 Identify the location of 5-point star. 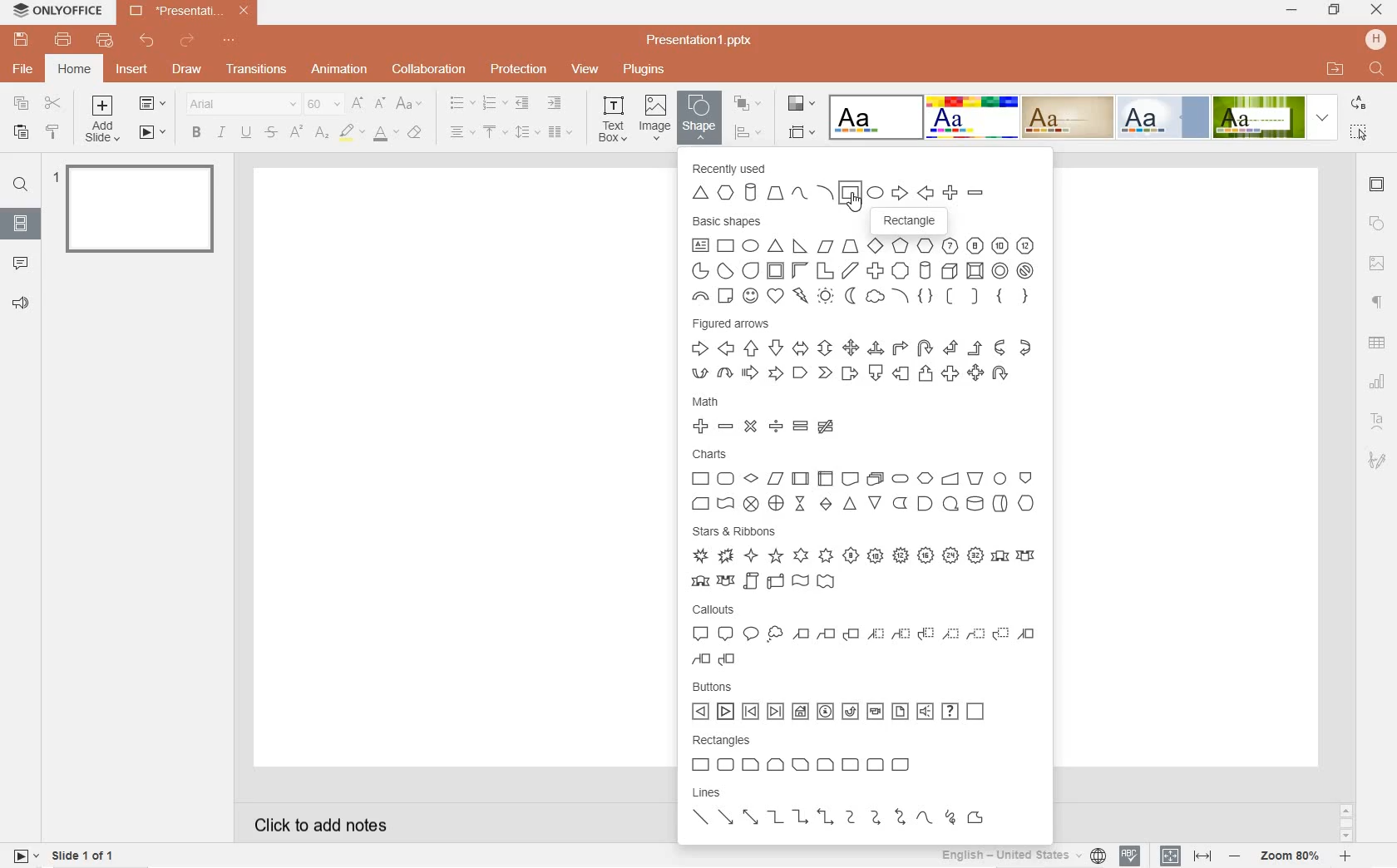
(775, 557).